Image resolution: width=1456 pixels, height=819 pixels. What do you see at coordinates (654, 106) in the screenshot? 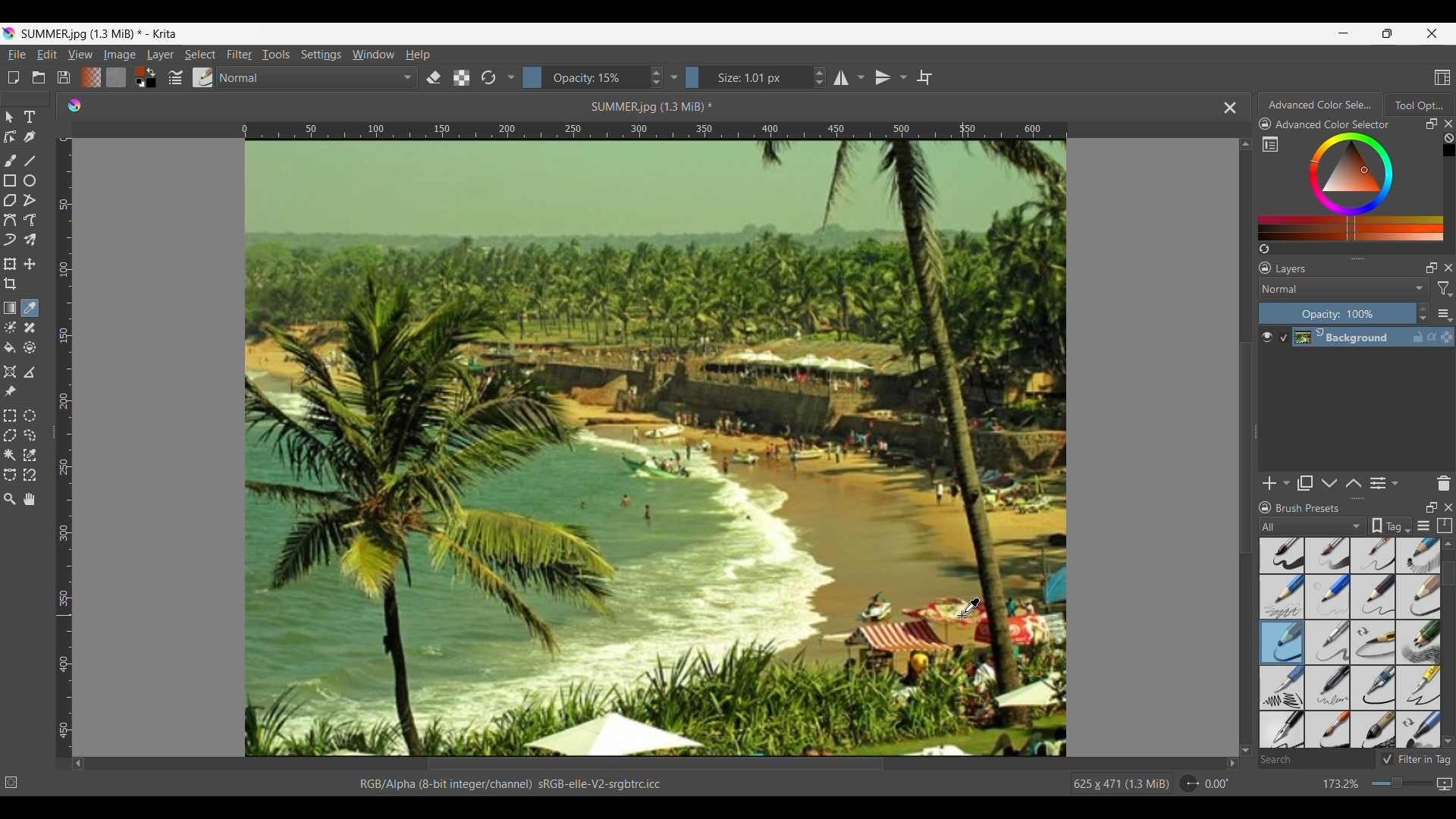
I see `SUMMER jpg (1.3 MiB) *` at bounding box center [654, 106].